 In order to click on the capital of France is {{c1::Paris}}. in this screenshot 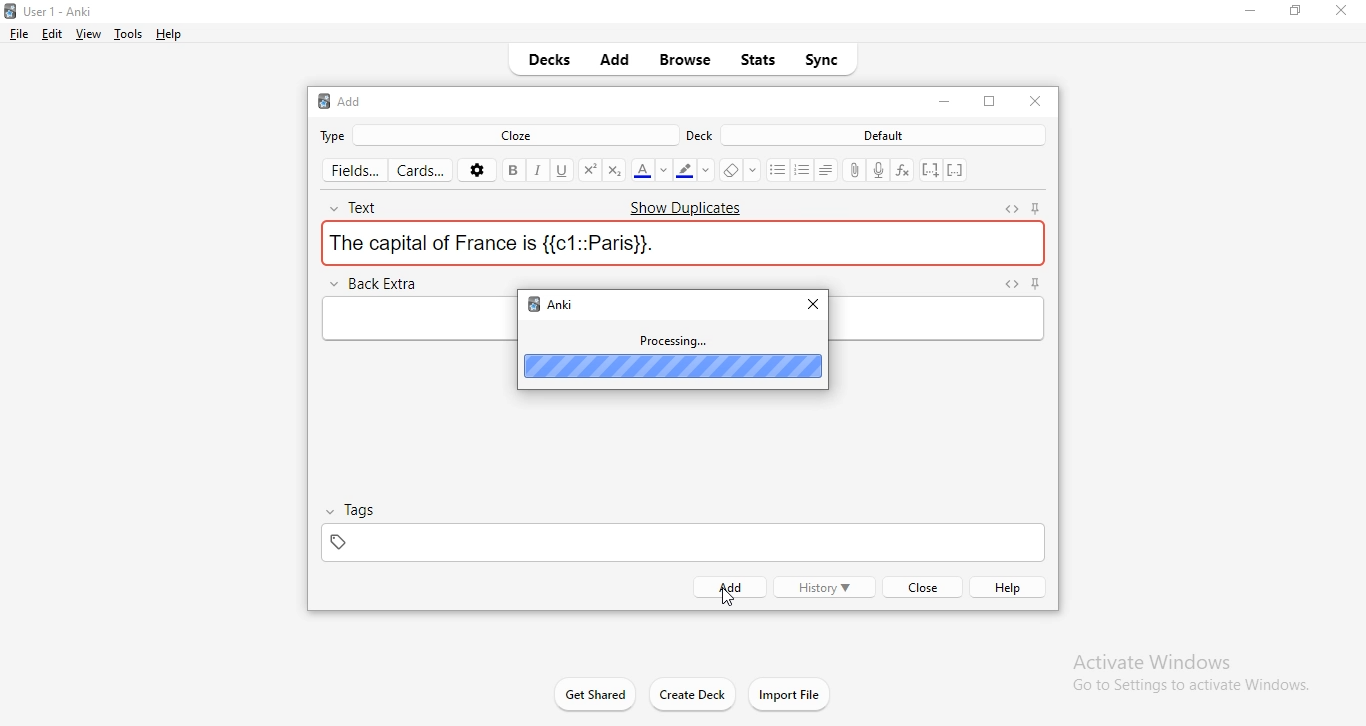, I will do `click(686, 243)`.